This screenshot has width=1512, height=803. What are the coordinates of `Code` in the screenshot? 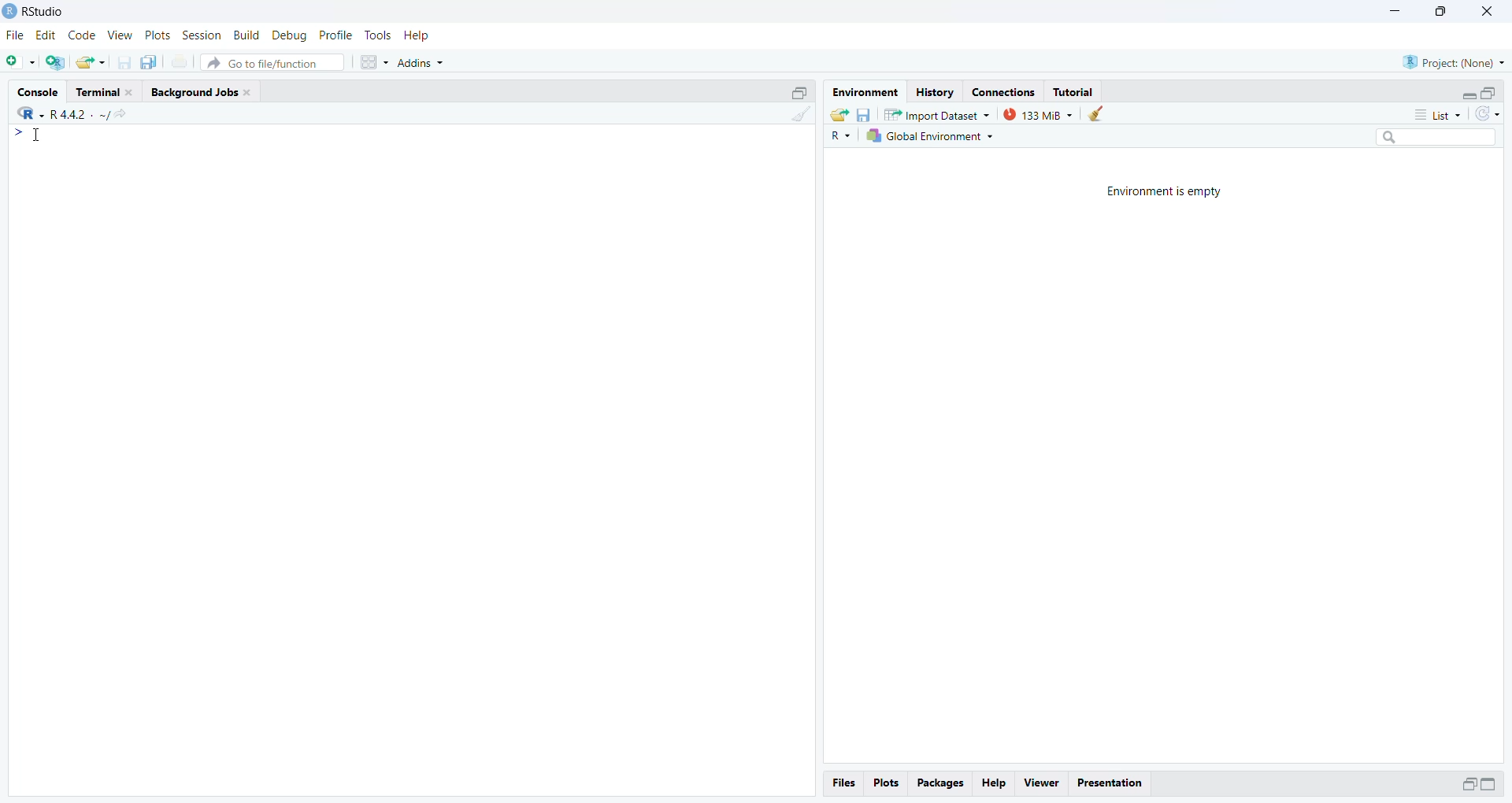 It's located at (83, 38).